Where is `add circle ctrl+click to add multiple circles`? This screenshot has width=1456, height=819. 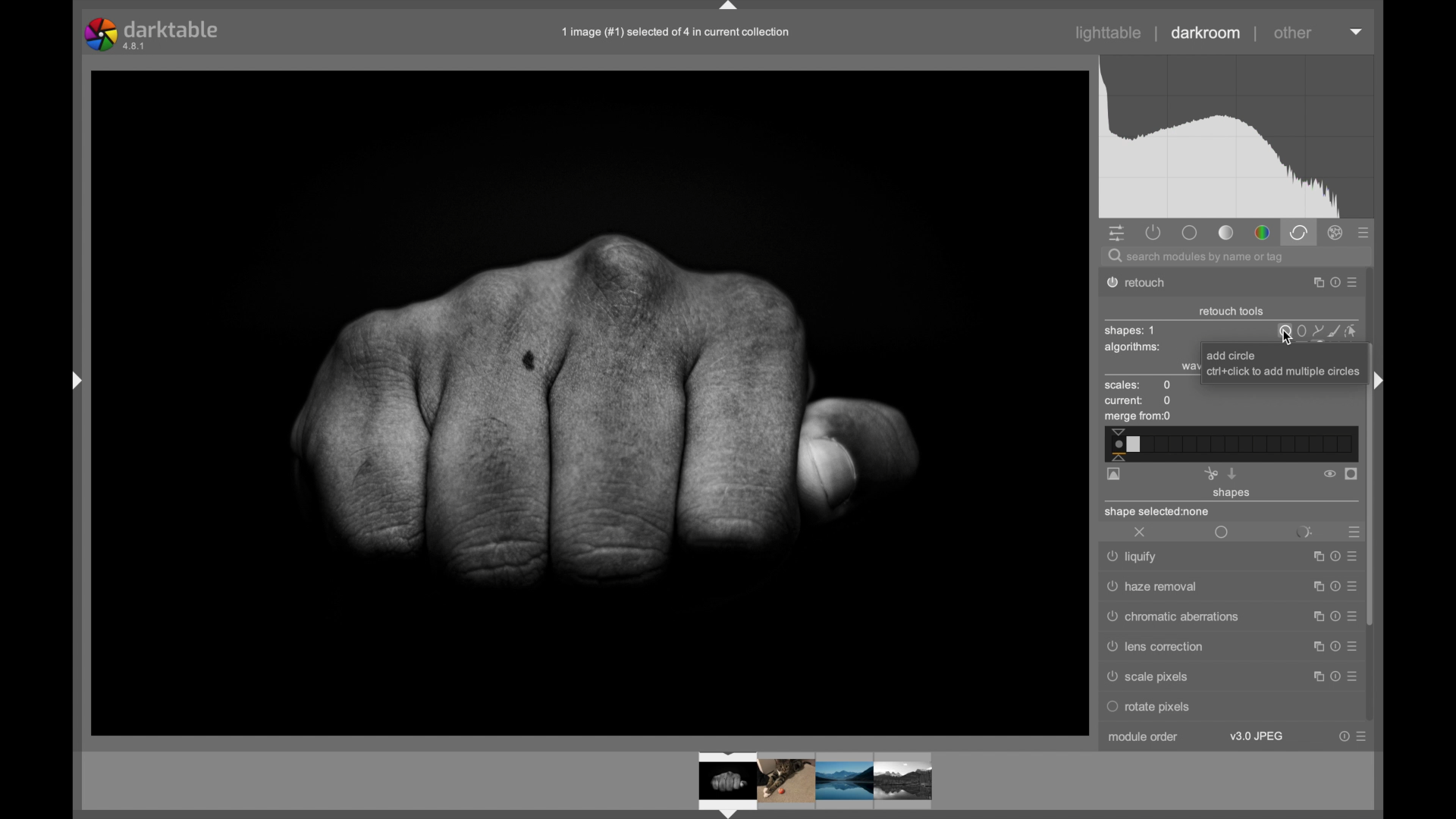
add circle ctrl+click to add multiple circles is located at coordinates (1282, 366).